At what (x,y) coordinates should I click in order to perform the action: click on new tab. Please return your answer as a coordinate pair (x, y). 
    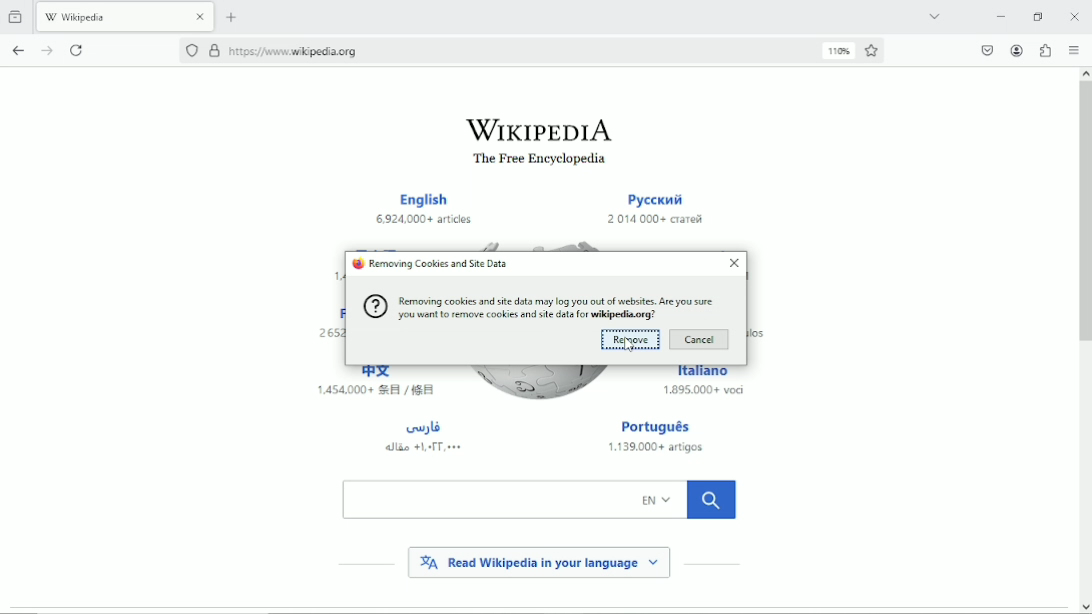
    Looking at the image, I should click on (232, 17).